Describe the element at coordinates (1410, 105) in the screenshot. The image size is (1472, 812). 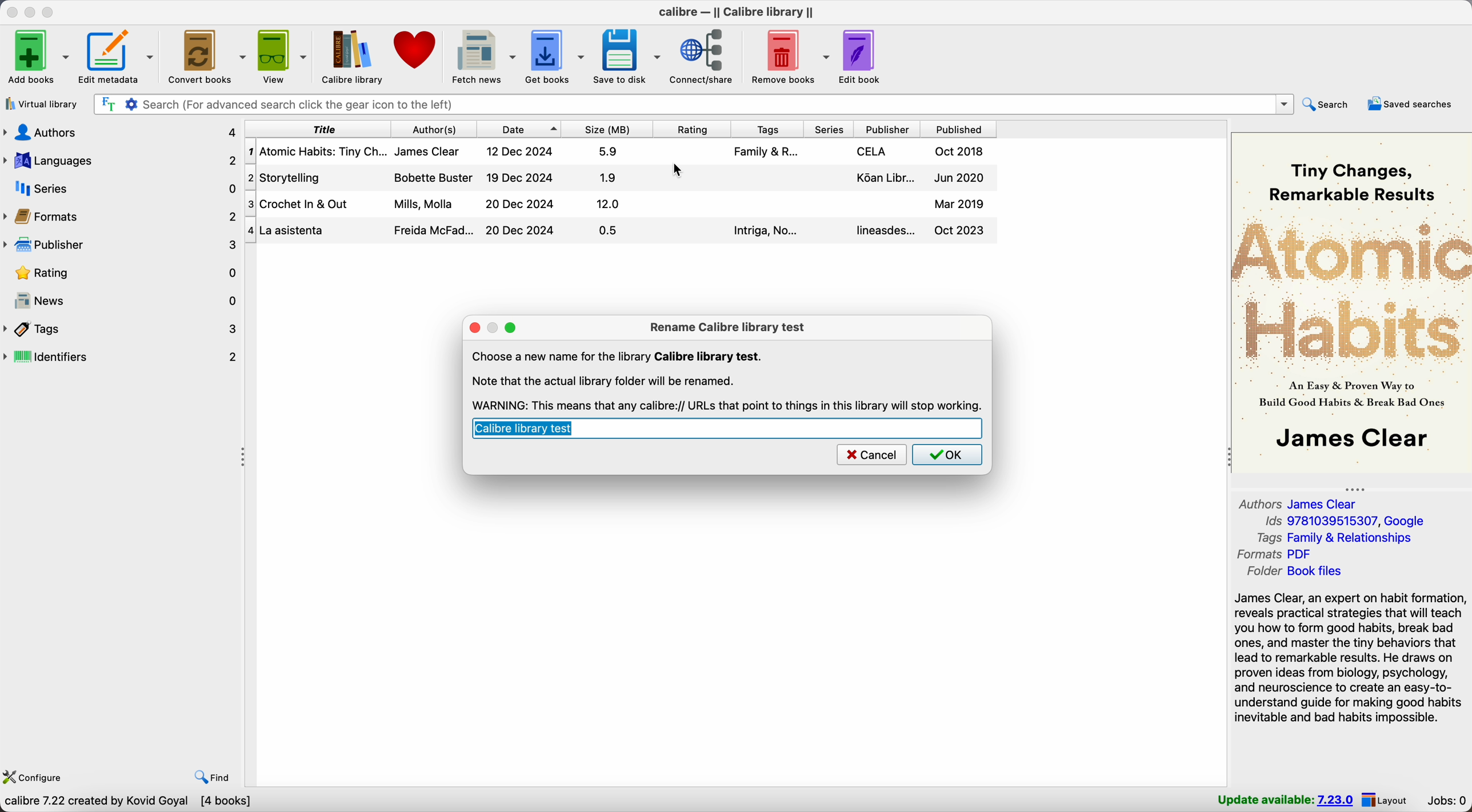
I see `saved searches` at that location.